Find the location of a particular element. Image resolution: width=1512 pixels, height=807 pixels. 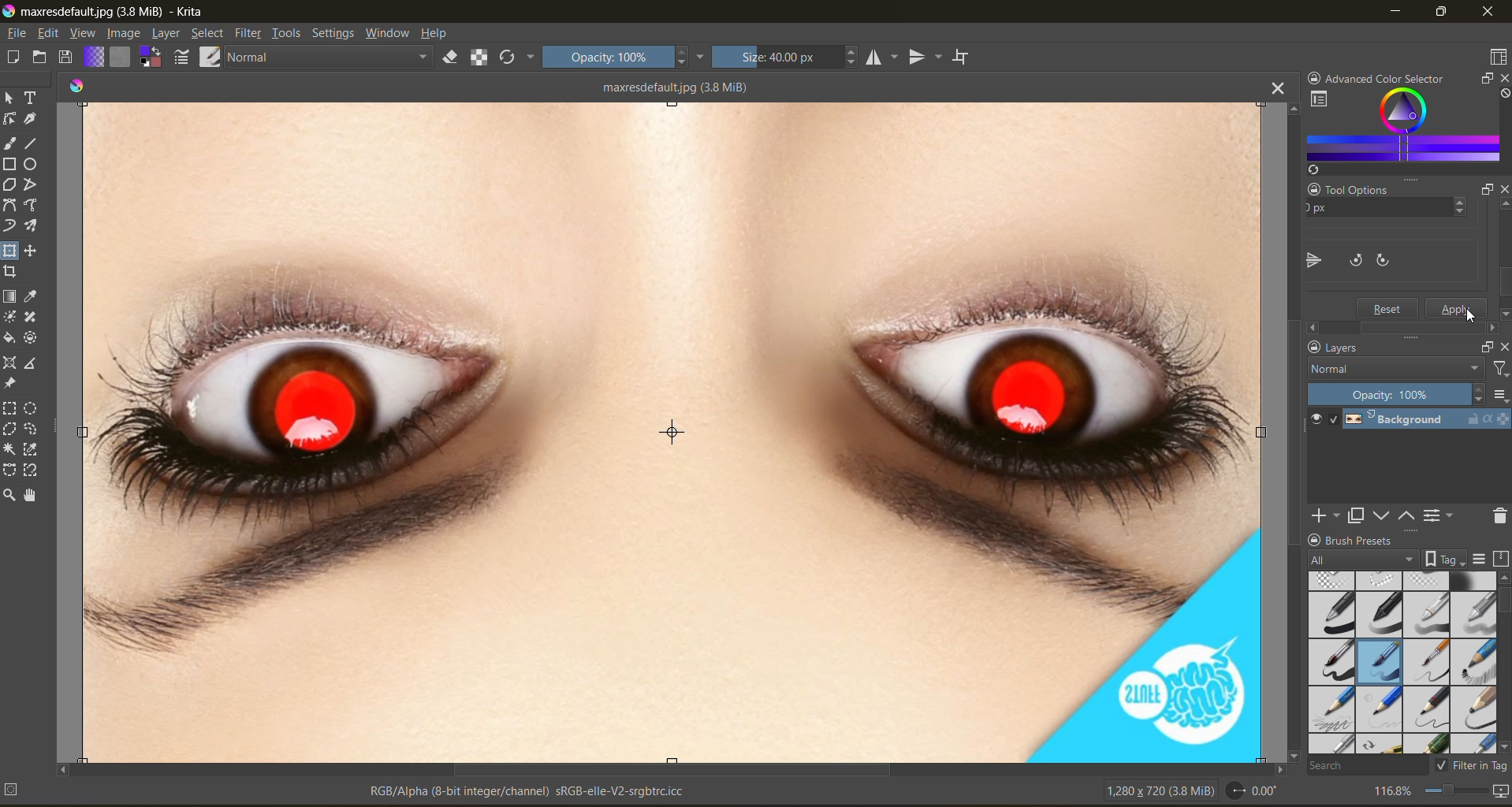

layer is located at coordinates (166, 33).